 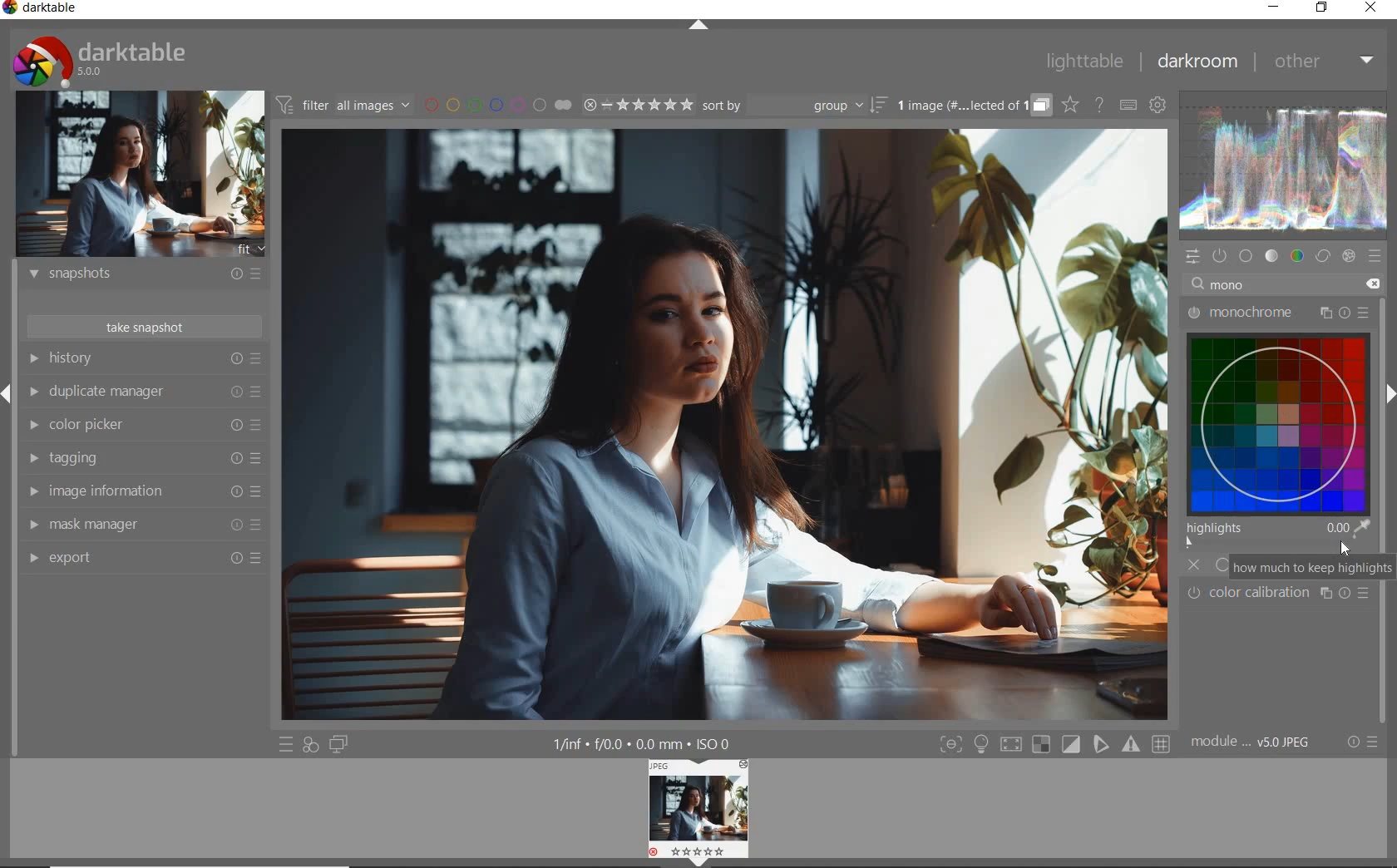 What do you see at coordinates (1054, 744) in the screenshot?
I see `Toggle modes` at bounding box center [1054, 744].